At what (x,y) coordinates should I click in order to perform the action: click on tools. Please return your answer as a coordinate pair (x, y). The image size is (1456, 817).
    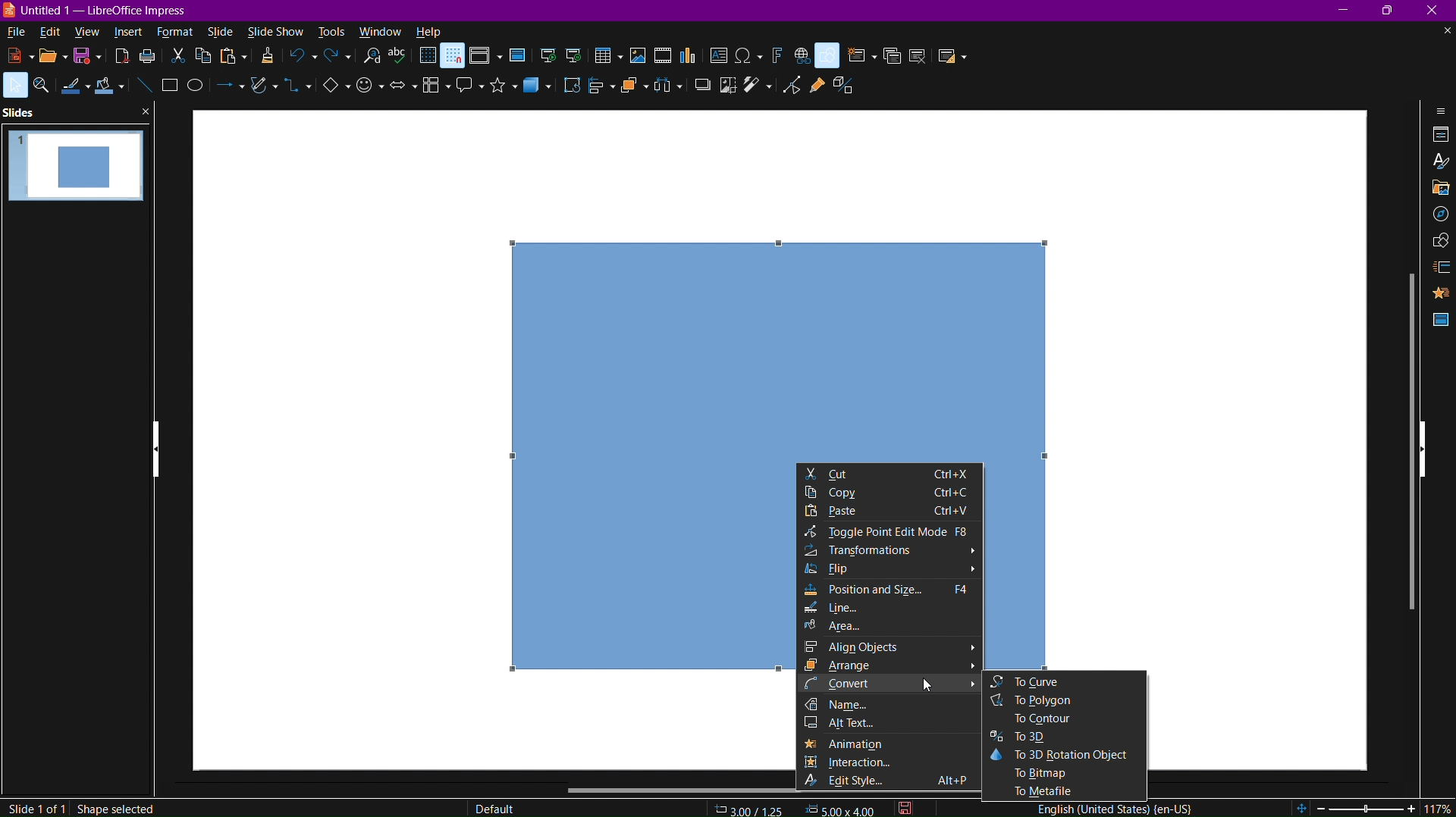
    Looking at the image, I should click on (329, 31).